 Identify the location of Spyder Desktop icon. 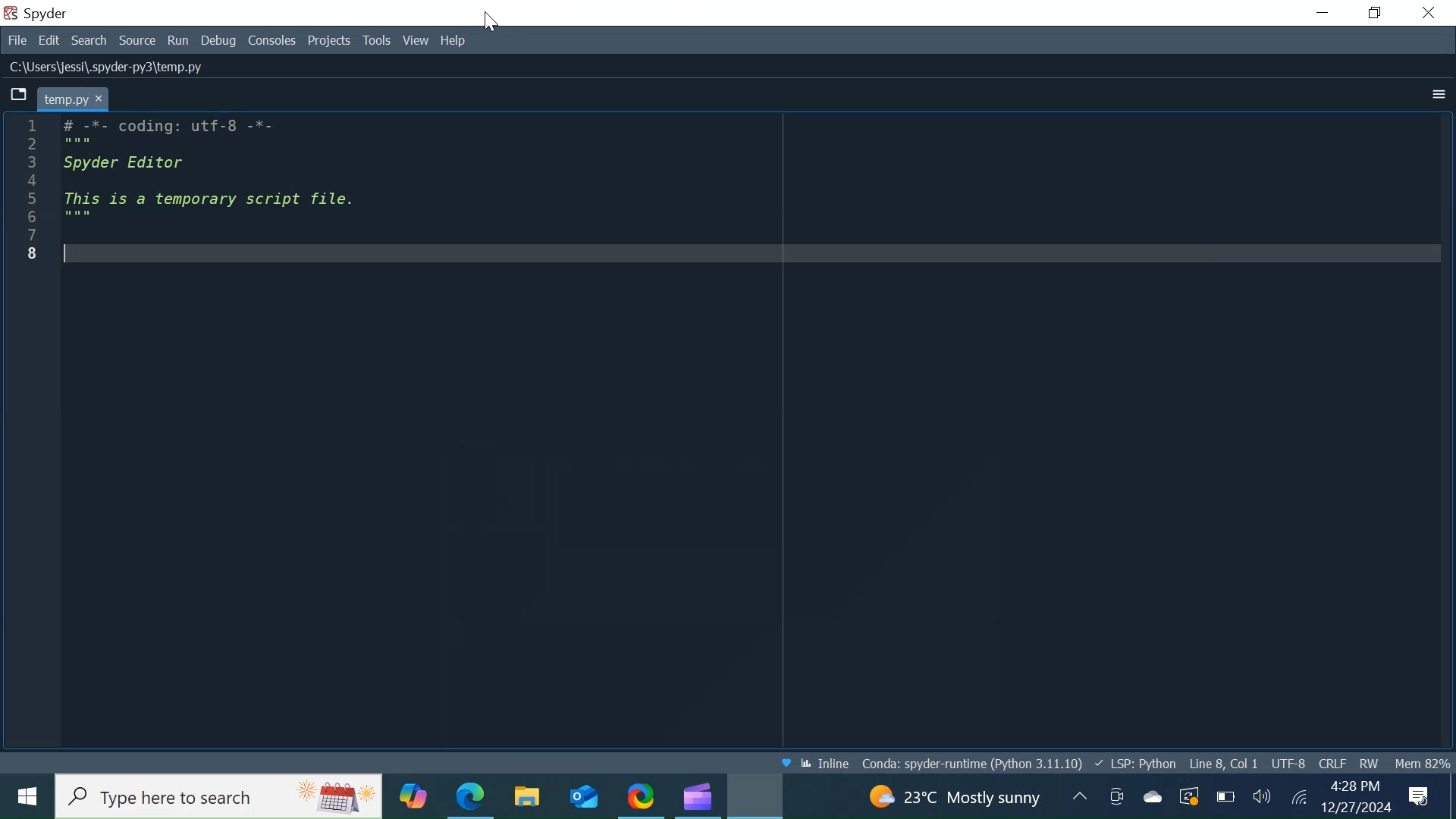
(755, 795).